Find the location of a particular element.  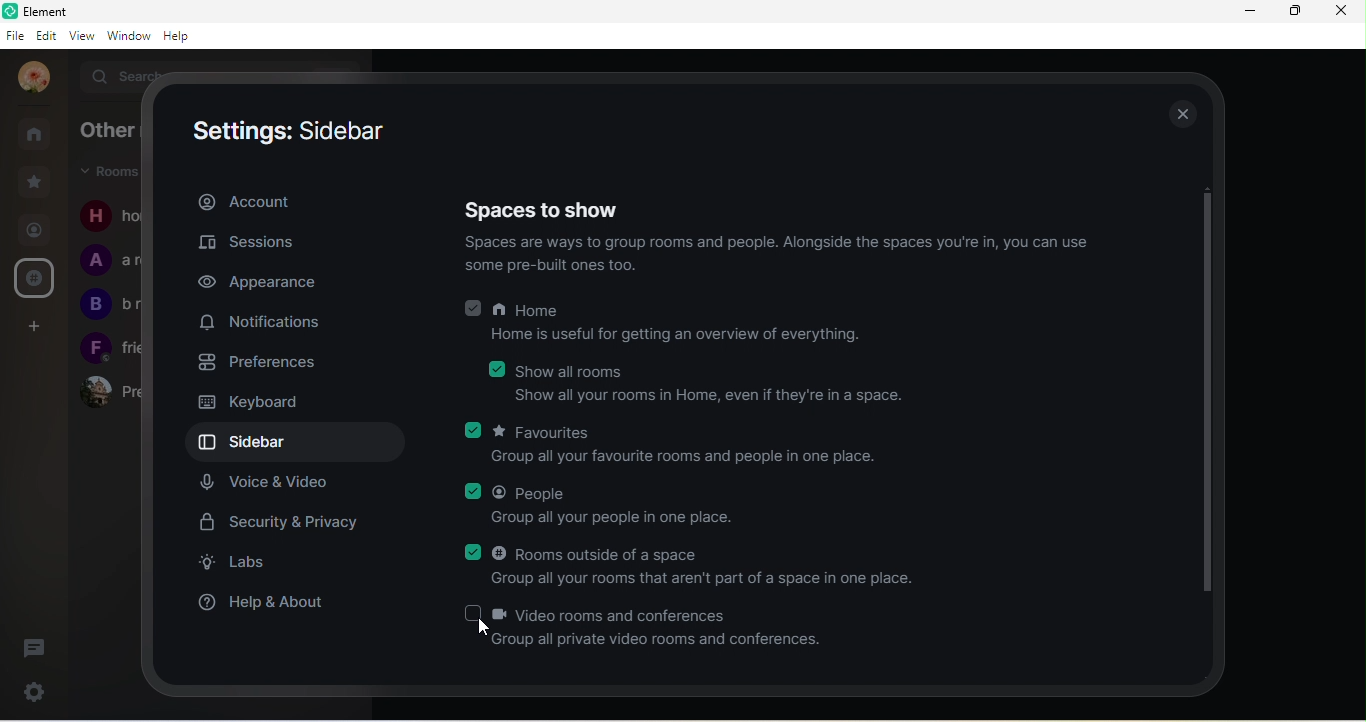

keyboard is located at coordinates (251, 403).